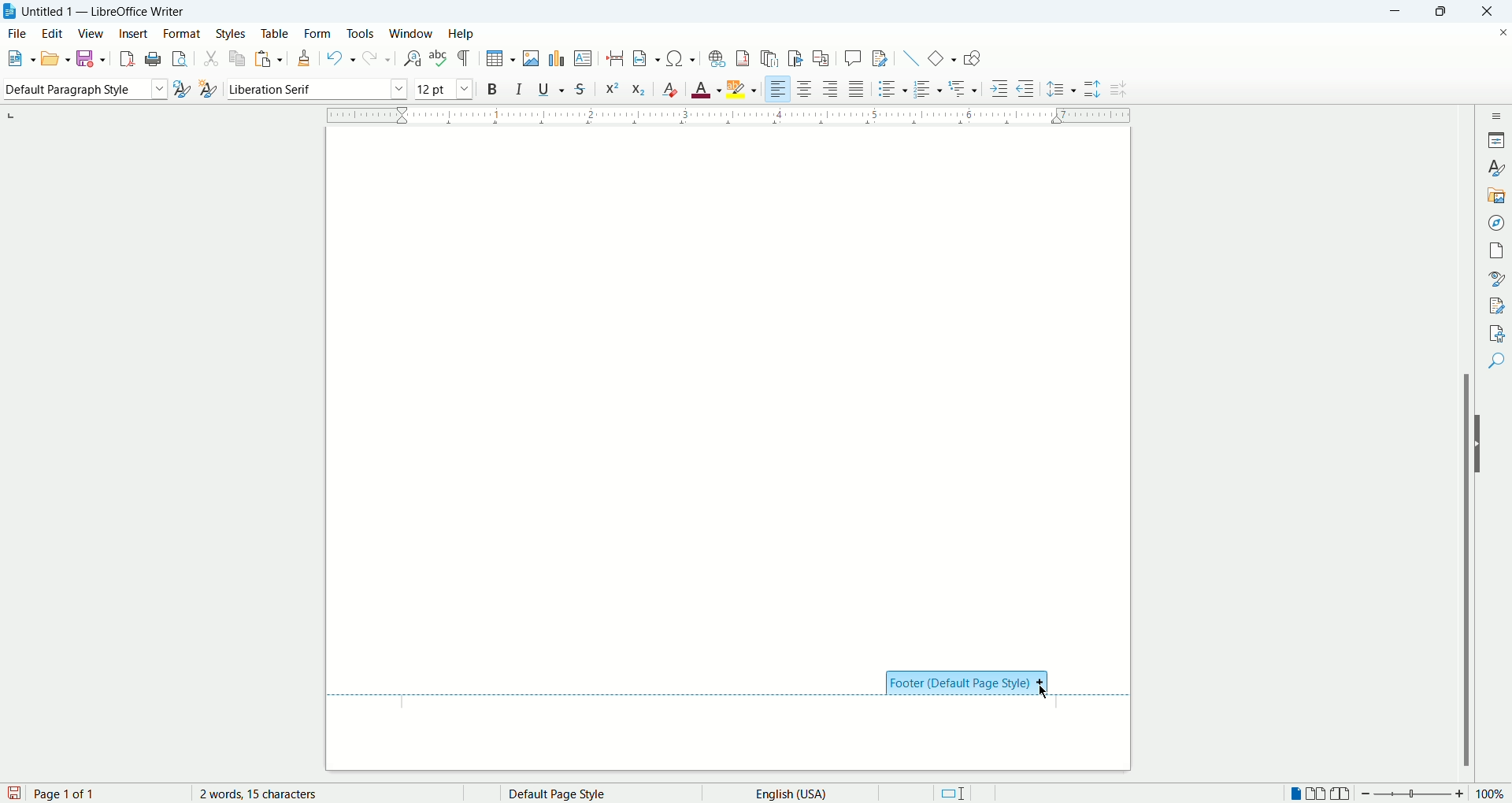 The image size is (1512, 803). What do you see at coordinates (965, 87) in the screenshot?
I see `outline` at bounding box center [965, 87].